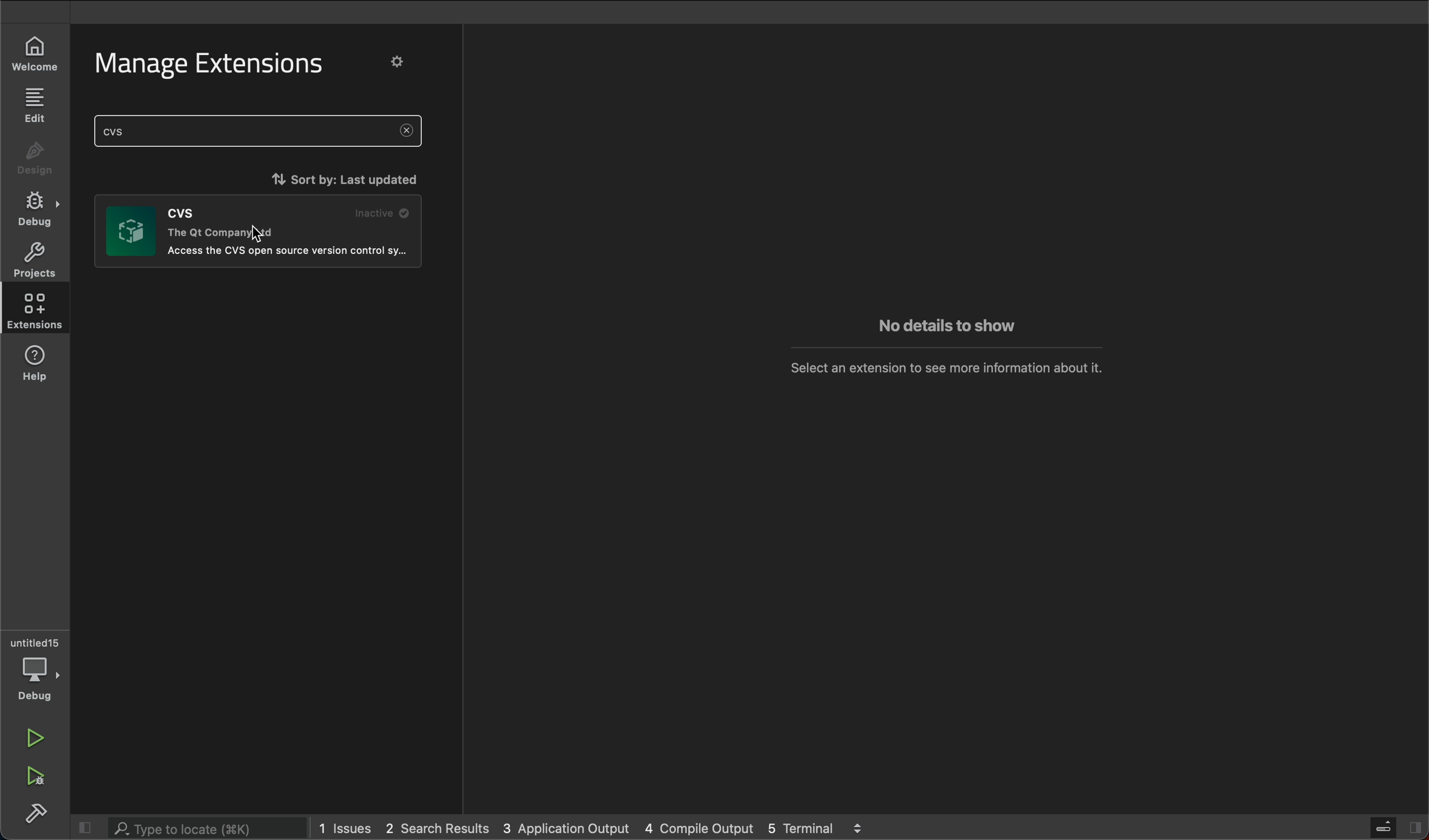 This screenshot has height=840, width=1429. I want to click on edit, so click(33, 104).